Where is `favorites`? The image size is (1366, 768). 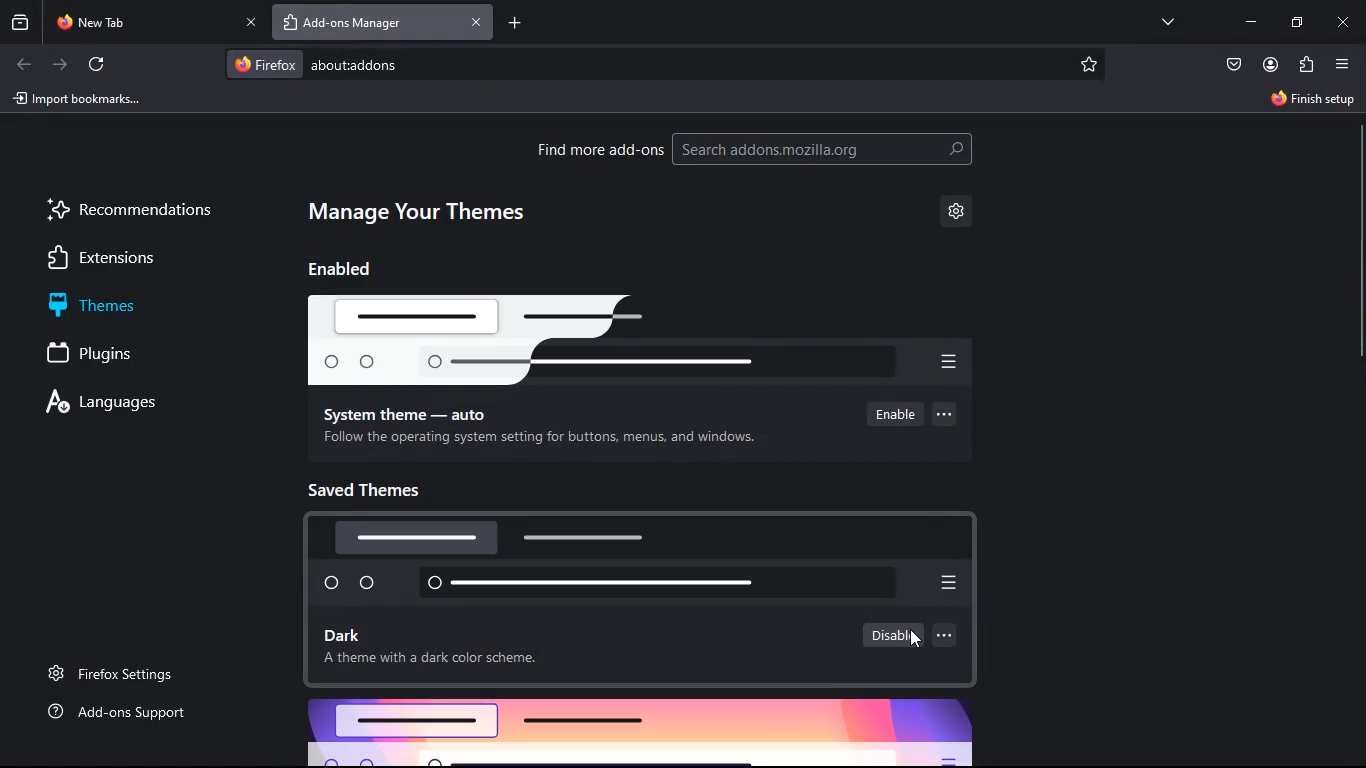 favorites is located at coordinates (1096, 64).